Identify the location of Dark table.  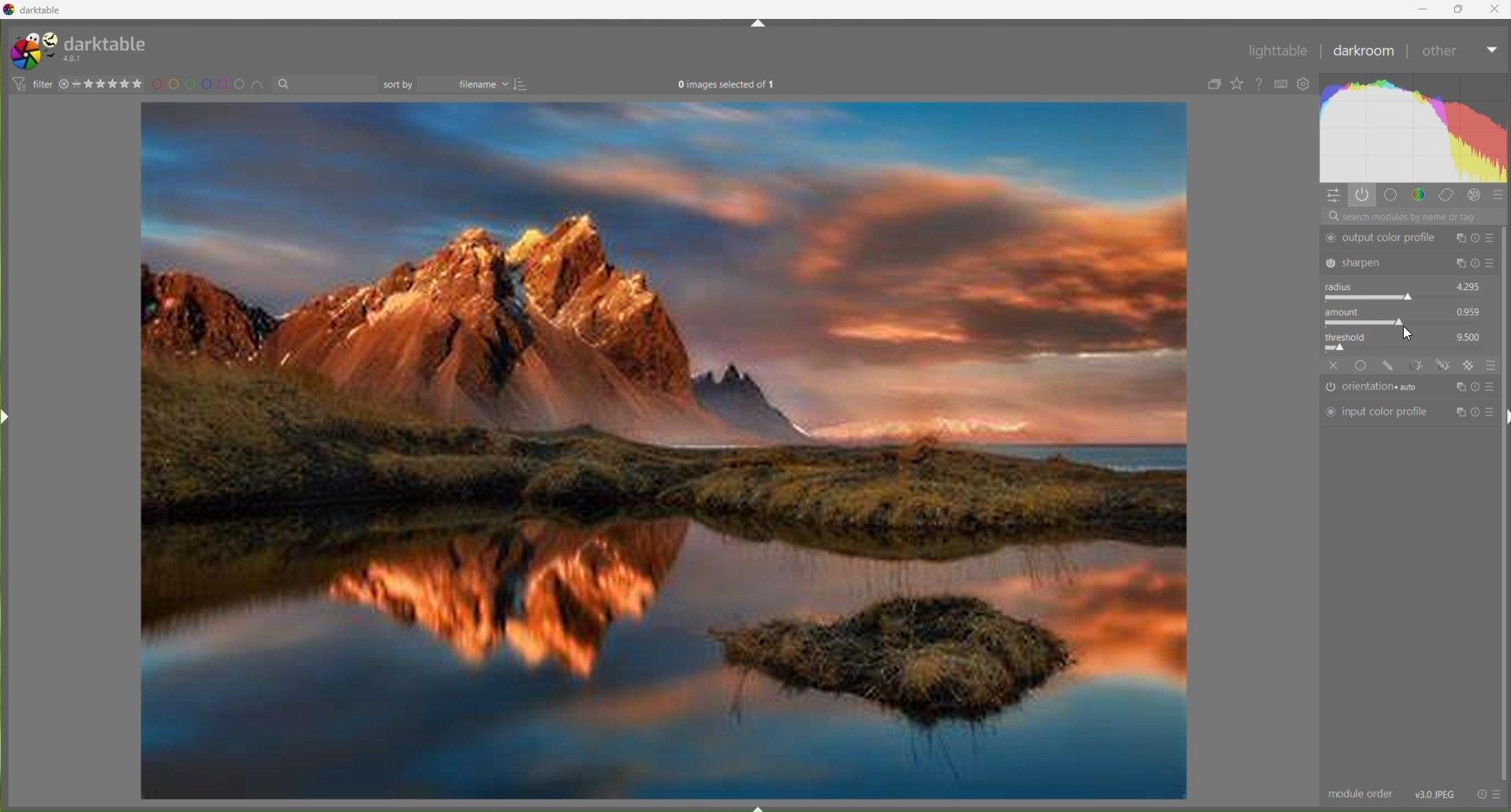
(44, 10).